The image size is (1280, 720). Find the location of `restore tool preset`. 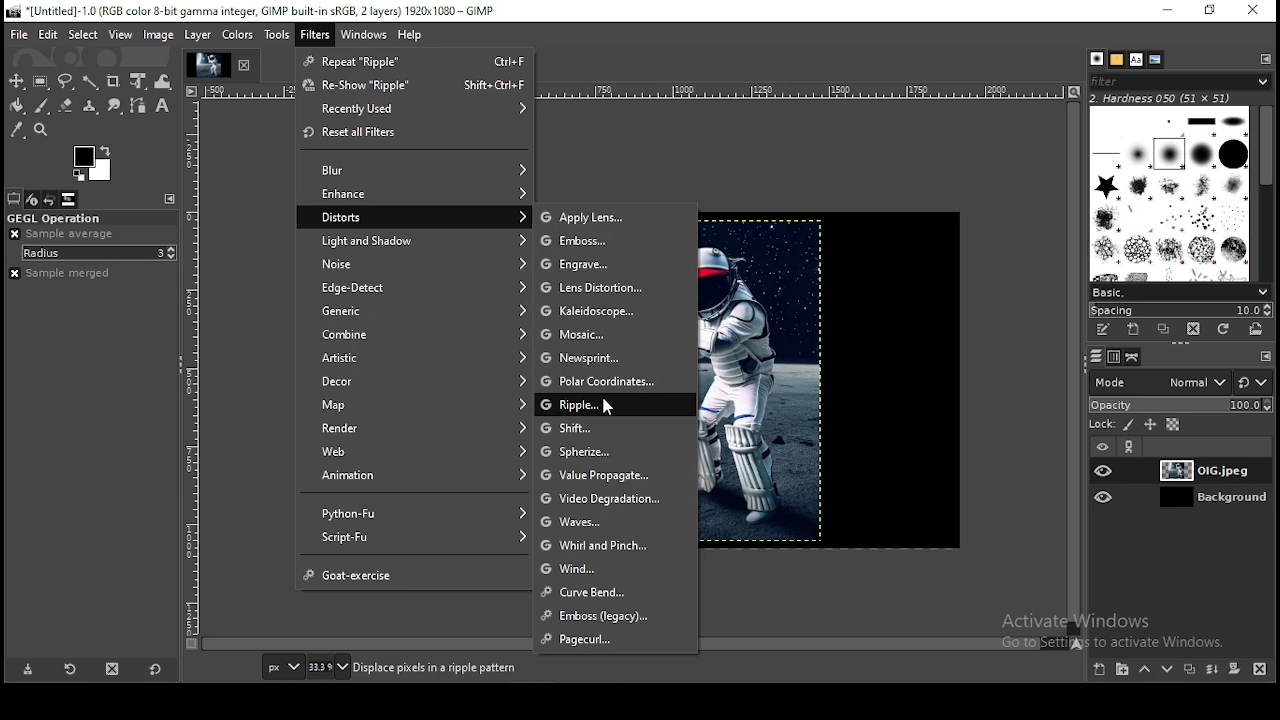

restore tool preset is located at coordinates (74, 672).